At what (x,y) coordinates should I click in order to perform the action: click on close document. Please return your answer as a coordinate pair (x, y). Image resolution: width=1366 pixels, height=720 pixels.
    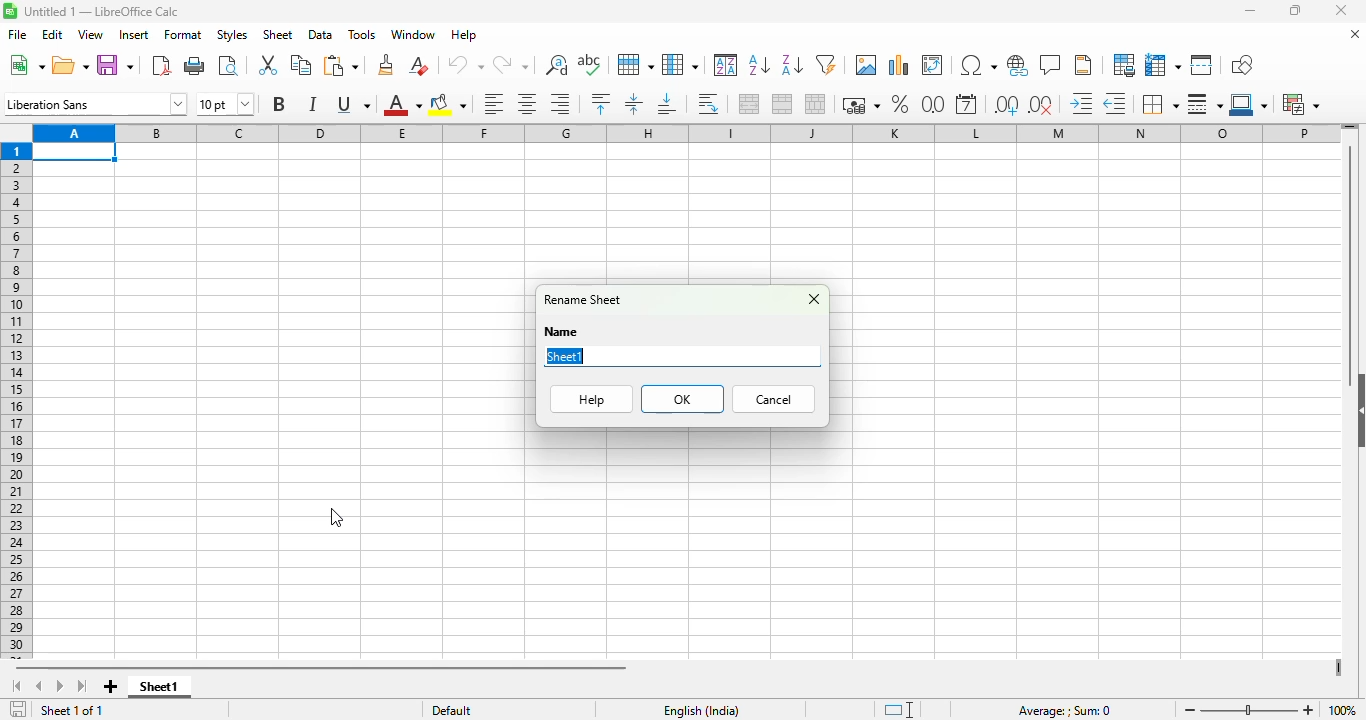
    Looking at the image, I should click on (1354, 34).